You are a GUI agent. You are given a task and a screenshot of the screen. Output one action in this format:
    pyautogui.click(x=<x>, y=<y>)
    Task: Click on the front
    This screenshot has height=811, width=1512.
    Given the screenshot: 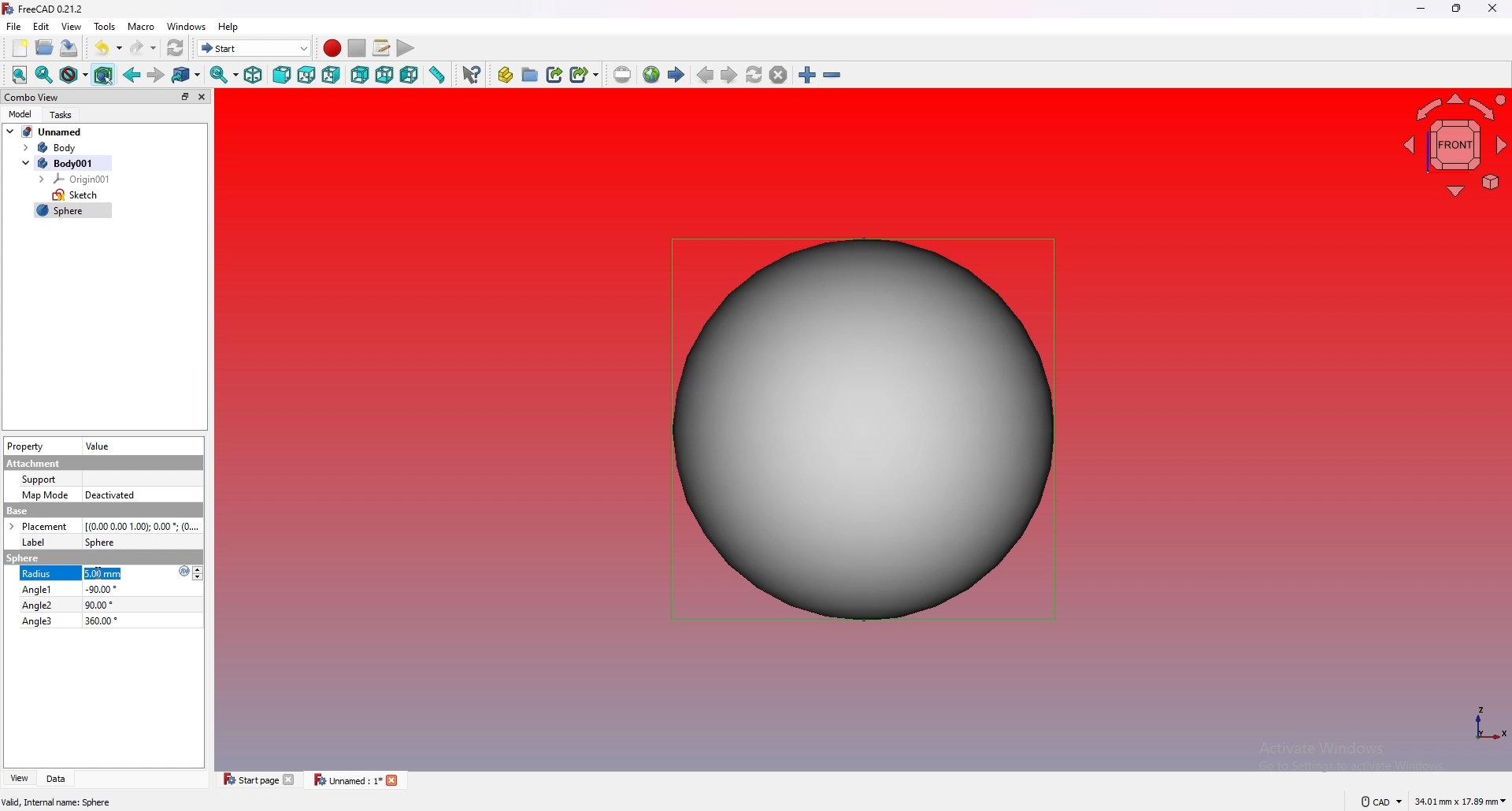 What is the action you would take?
    pyautogui.click(x=281, y=75)
    